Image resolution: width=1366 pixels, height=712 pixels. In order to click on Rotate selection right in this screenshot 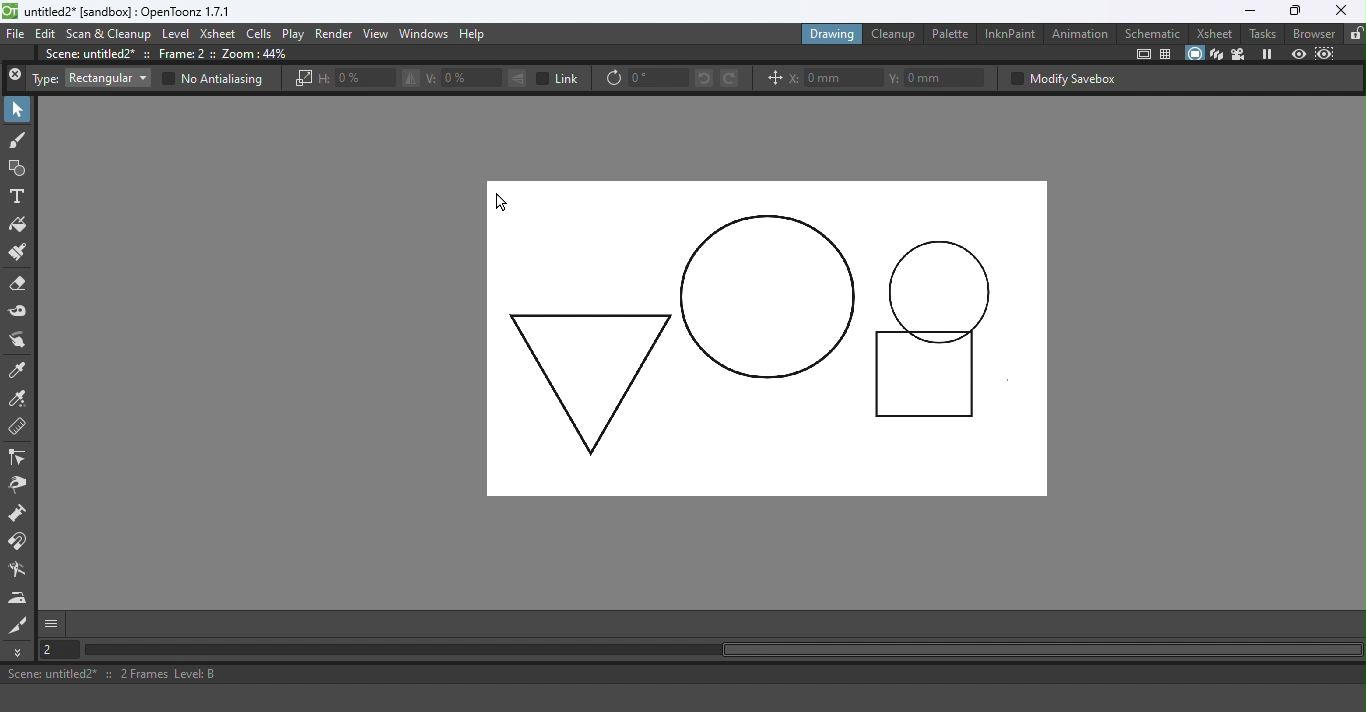, I will do `click(730, 77)`.